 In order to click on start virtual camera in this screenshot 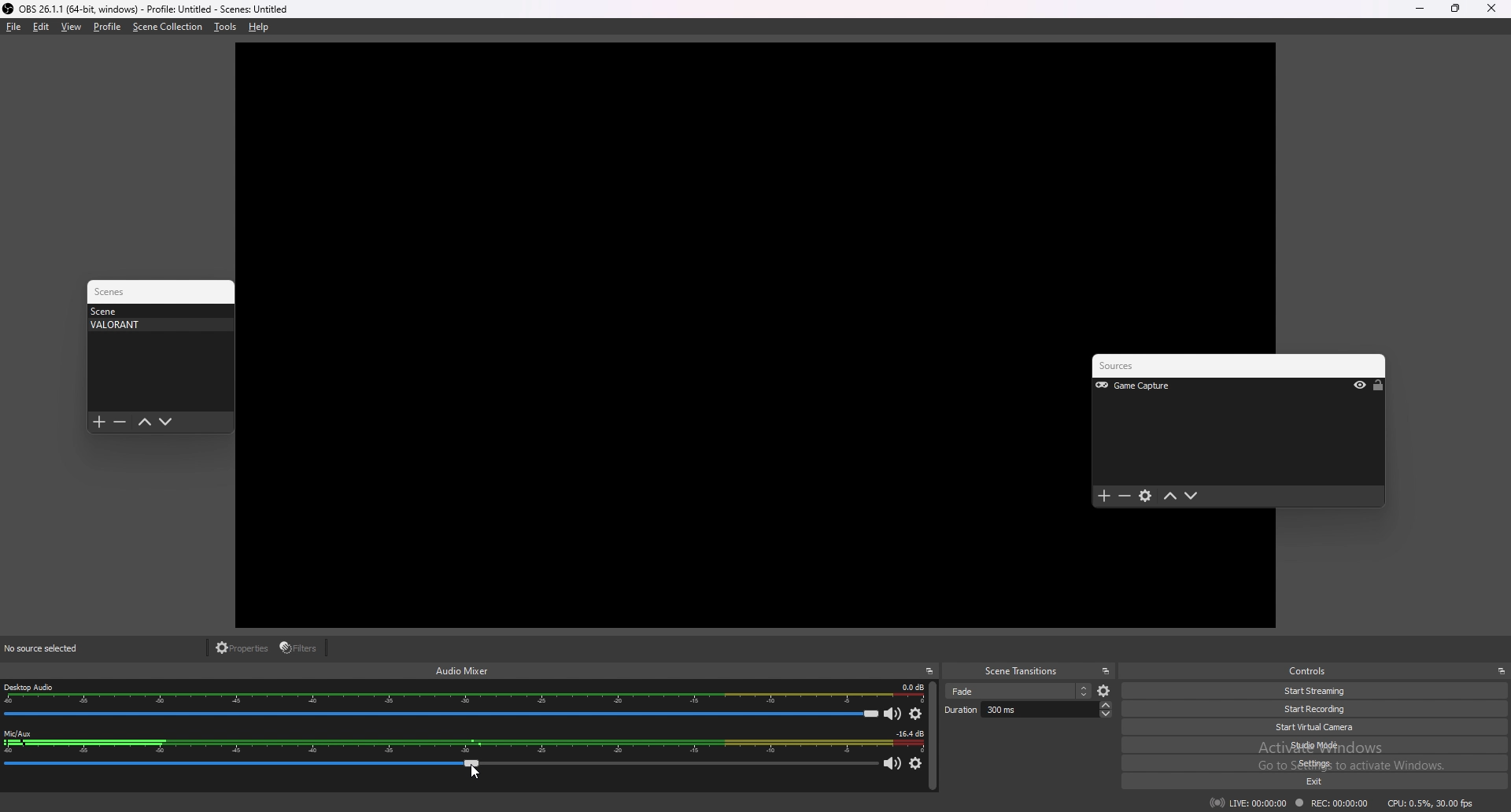, I will do `click(1323, 727)`.